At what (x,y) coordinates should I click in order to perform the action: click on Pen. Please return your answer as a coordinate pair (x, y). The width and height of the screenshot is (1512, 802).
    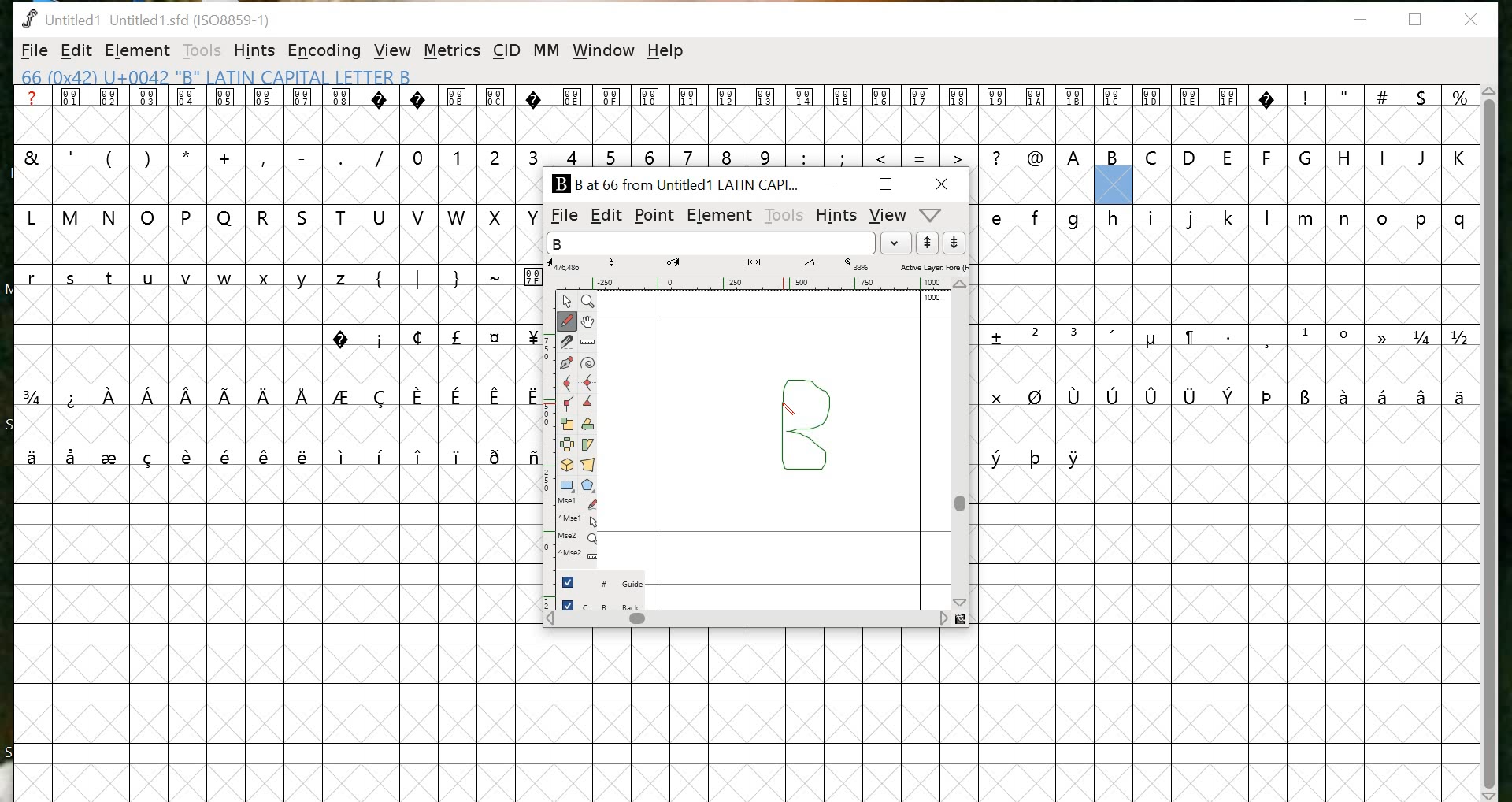
    Looking at the image, I should click on (568, 365).